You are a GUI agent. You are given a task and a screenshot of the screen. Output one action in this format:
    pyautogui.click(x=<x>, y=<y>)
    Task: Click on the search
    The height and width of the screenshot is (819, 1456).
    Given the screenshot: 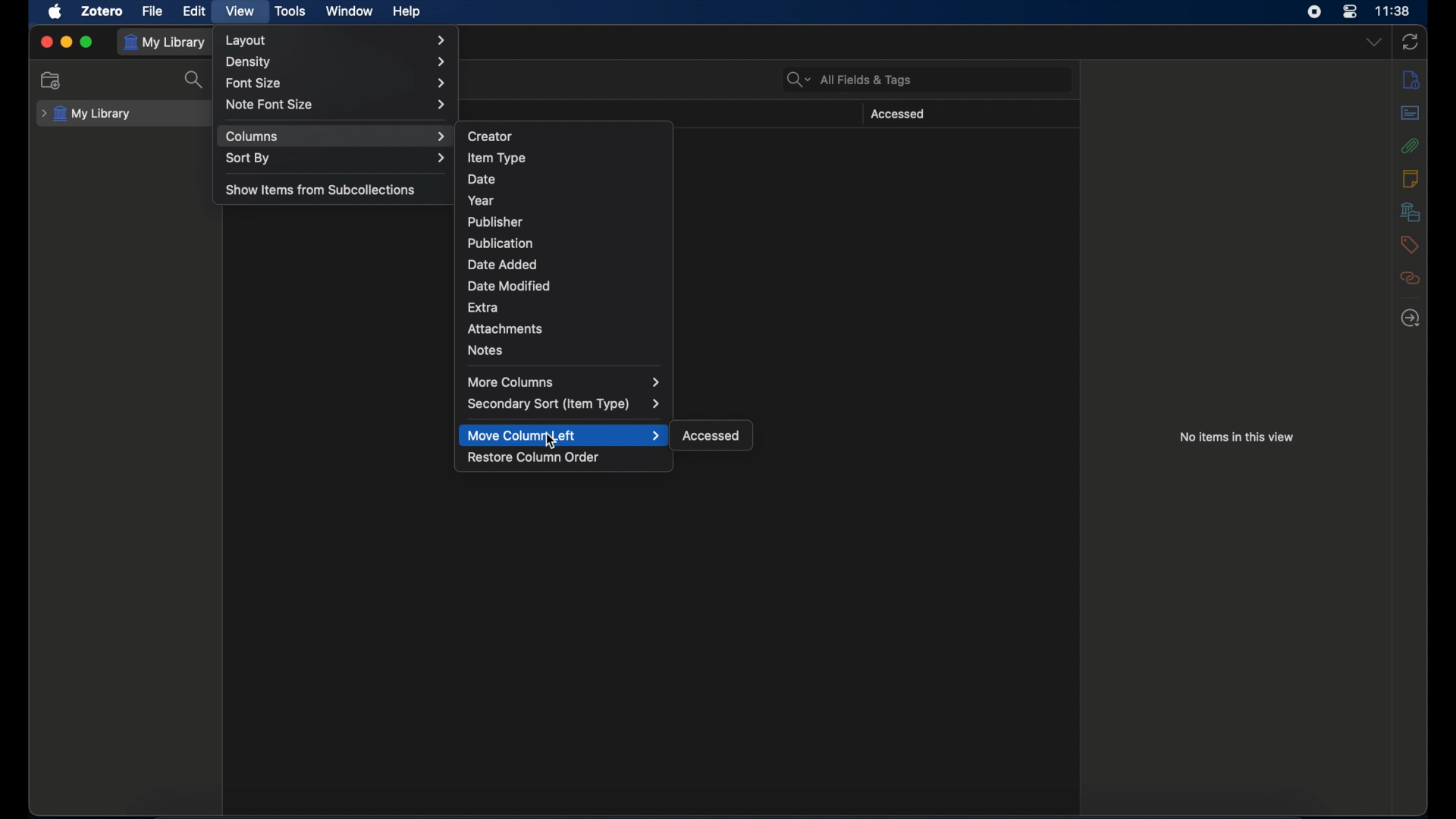 What is the action you would take?
    pyautogui.click(x=194, y=79)
    